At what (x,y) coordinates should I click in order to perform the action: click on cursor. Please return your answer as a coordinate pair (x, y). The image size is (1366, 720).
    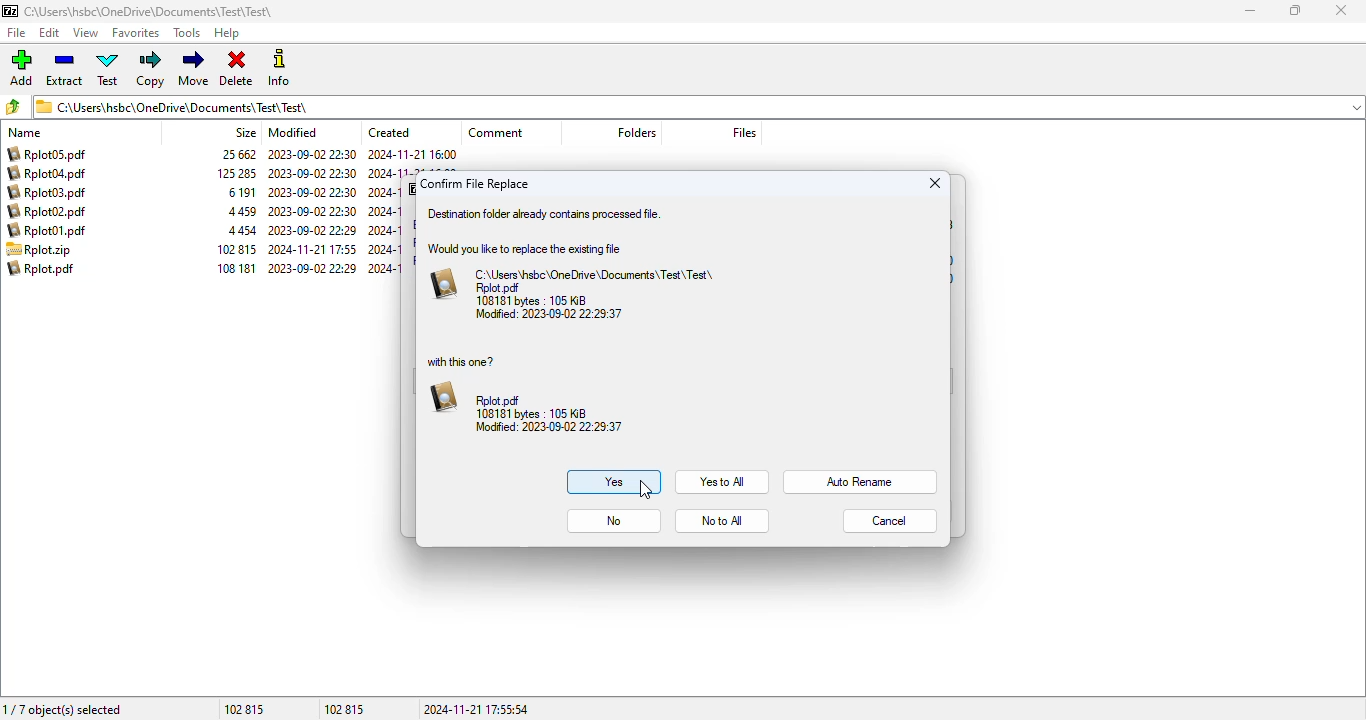
    Looking at the image, I should click on (647, 489).